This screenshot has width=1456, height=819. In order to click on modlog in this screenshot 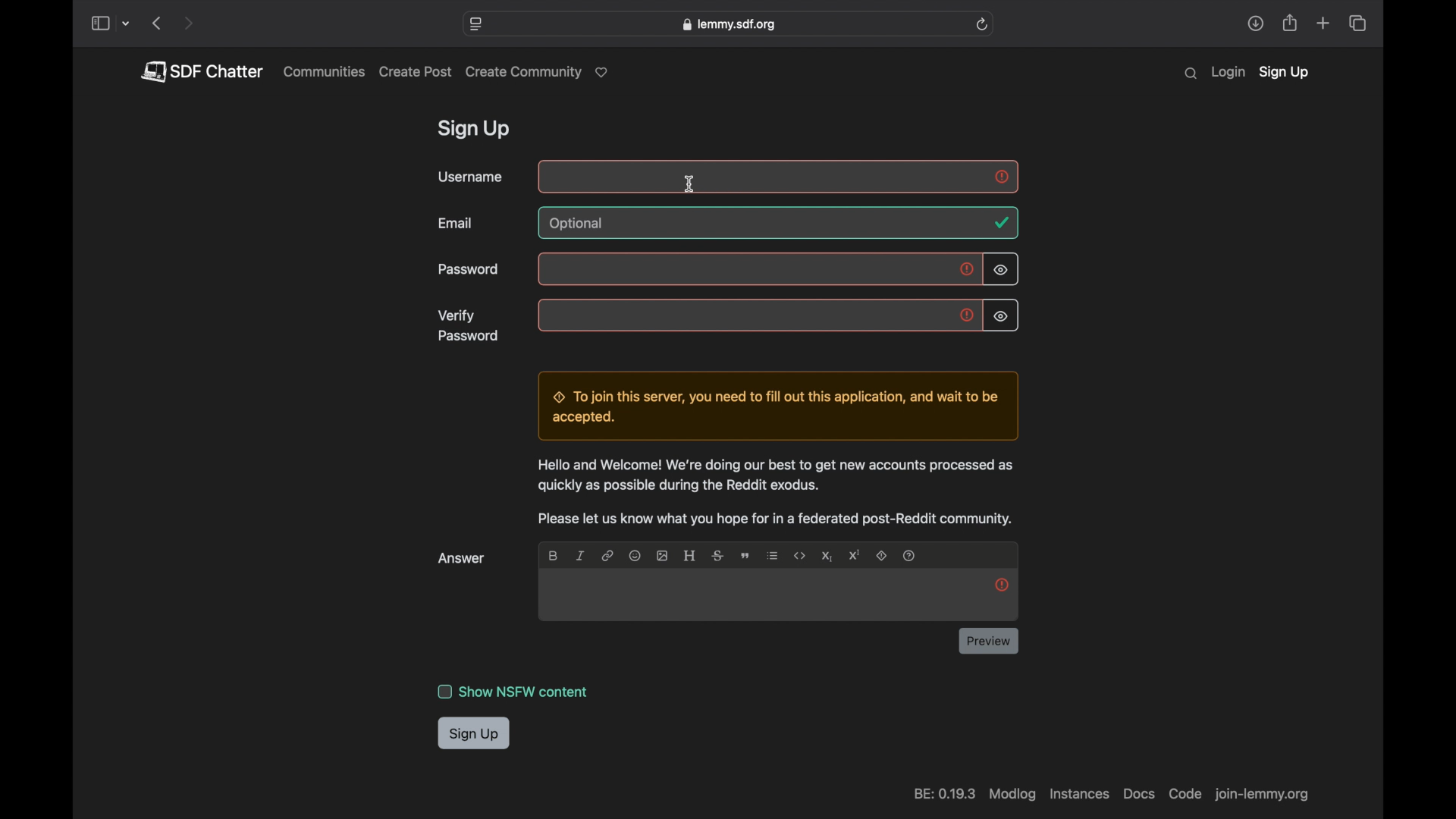, I will do `click(1011, 795)`.